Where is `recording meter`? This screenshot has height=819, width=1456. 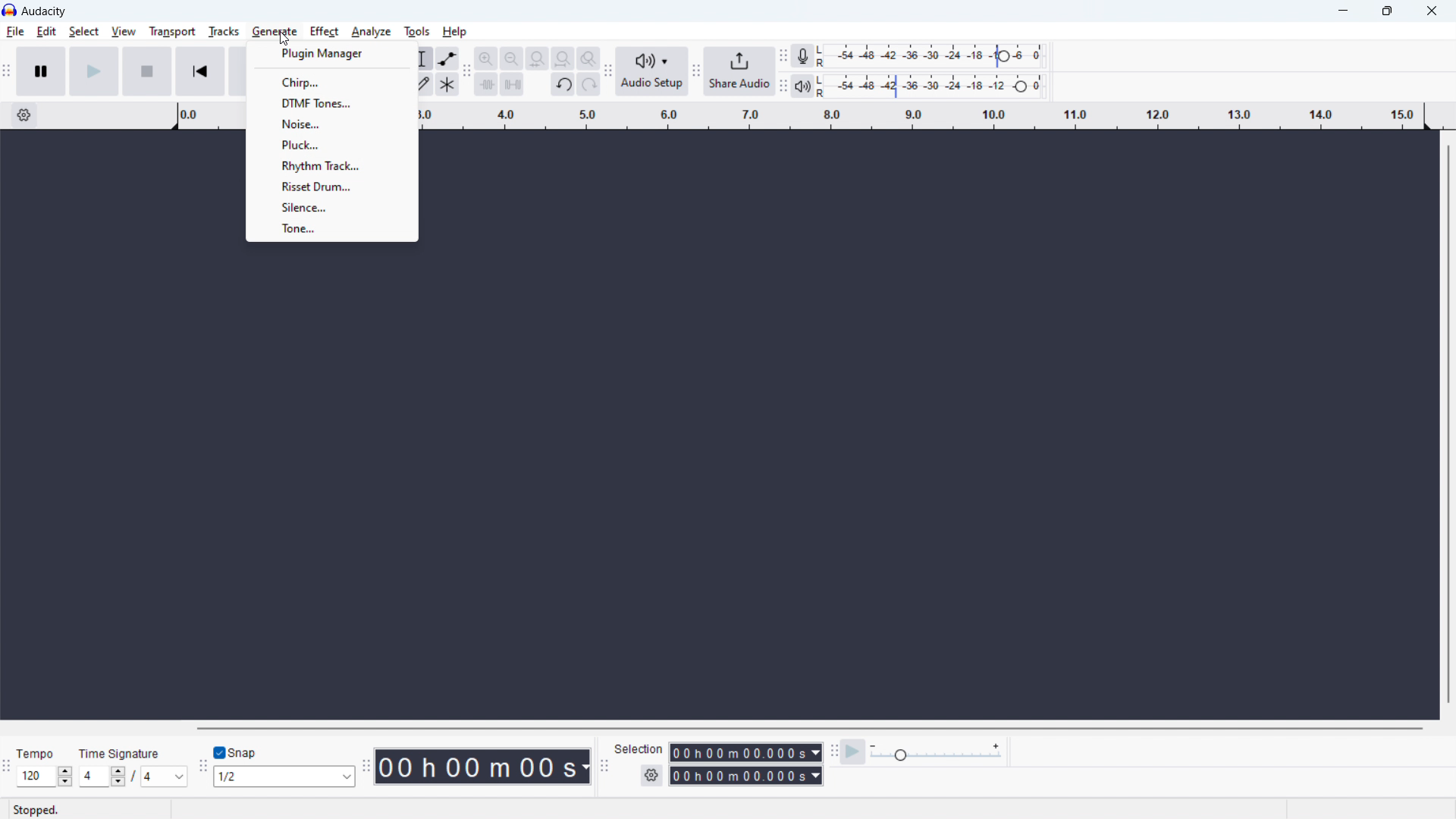
recording meter is located at coordinates (802, 55).